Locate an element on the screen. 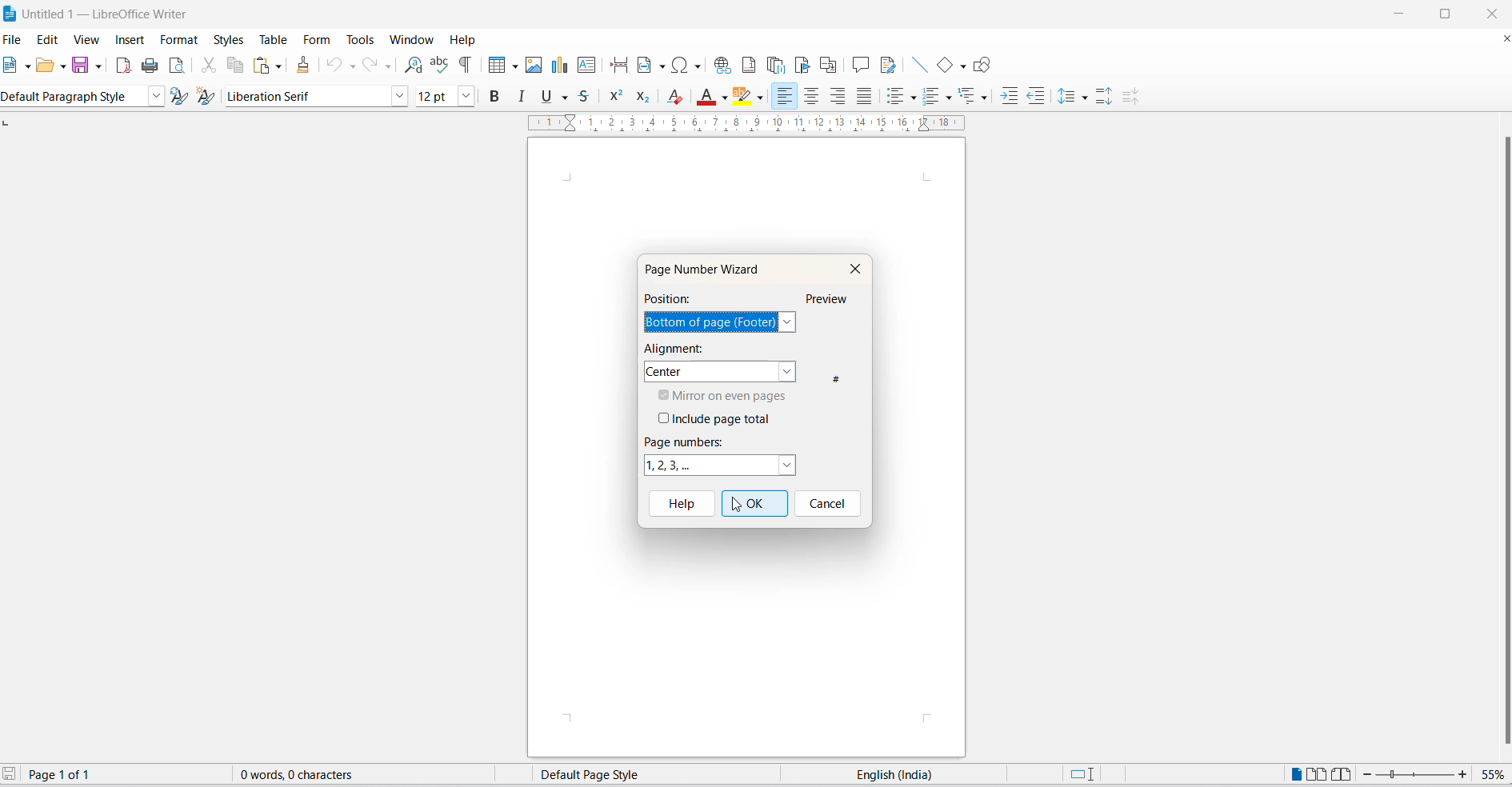 Image resolution: width=1512 pixels, height=787 pixels. text align right is located at coordinates (838, 98).